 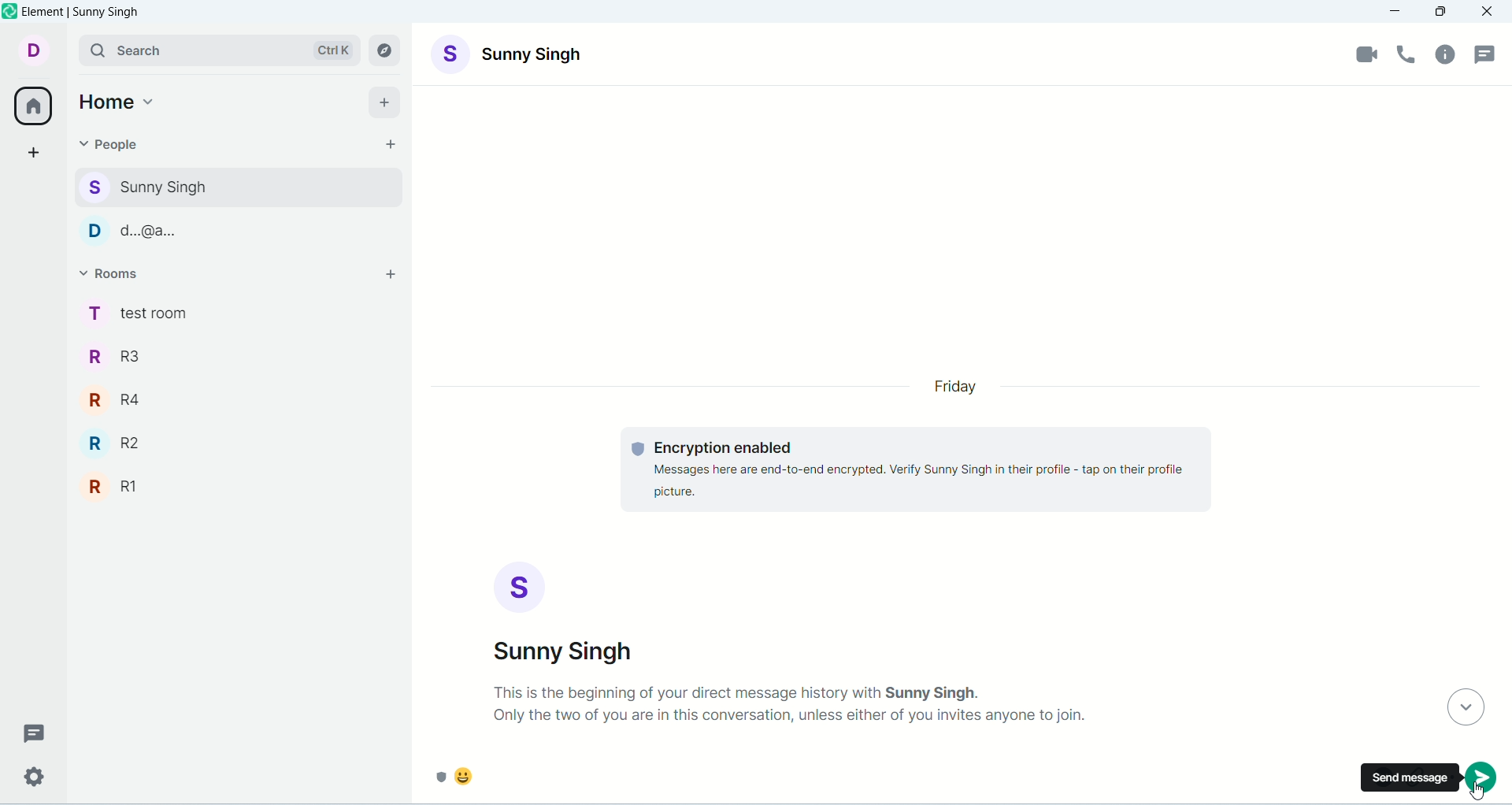 I want to click on threads, so click(x=1488, y=54).